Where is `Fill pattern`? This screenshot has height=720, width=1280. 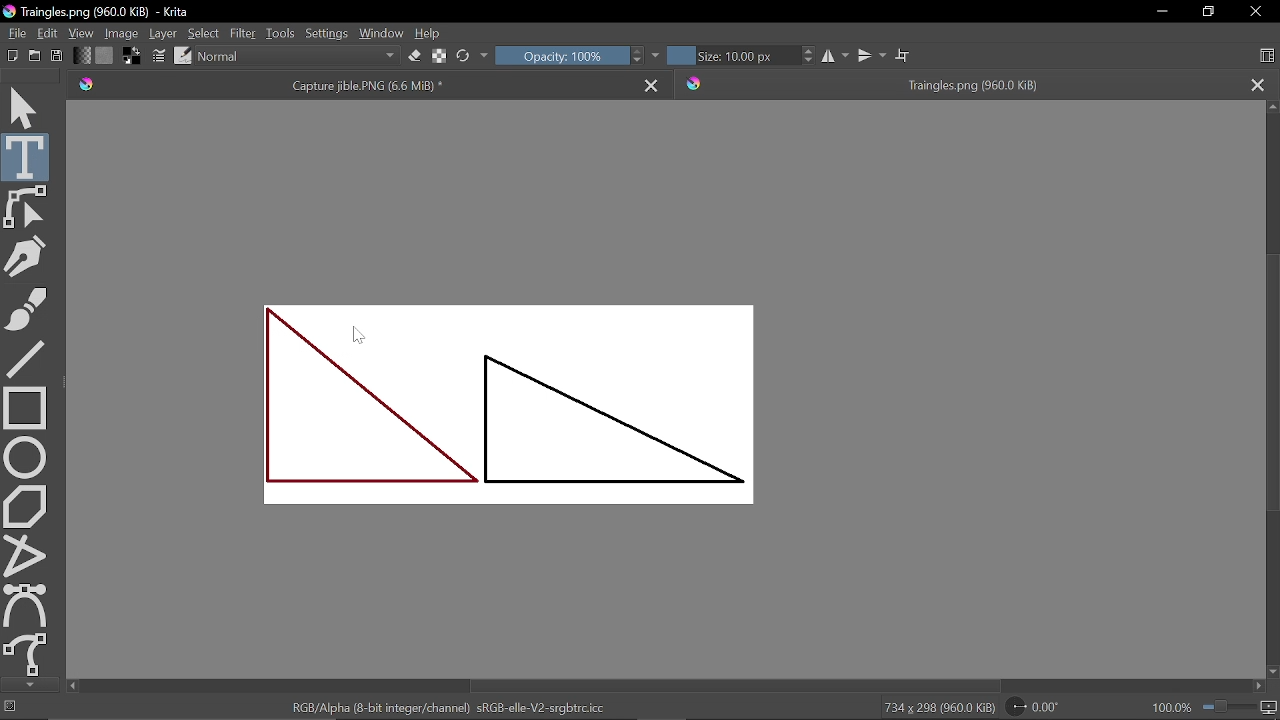
Fill pattern is located at coordinates (104, 56).